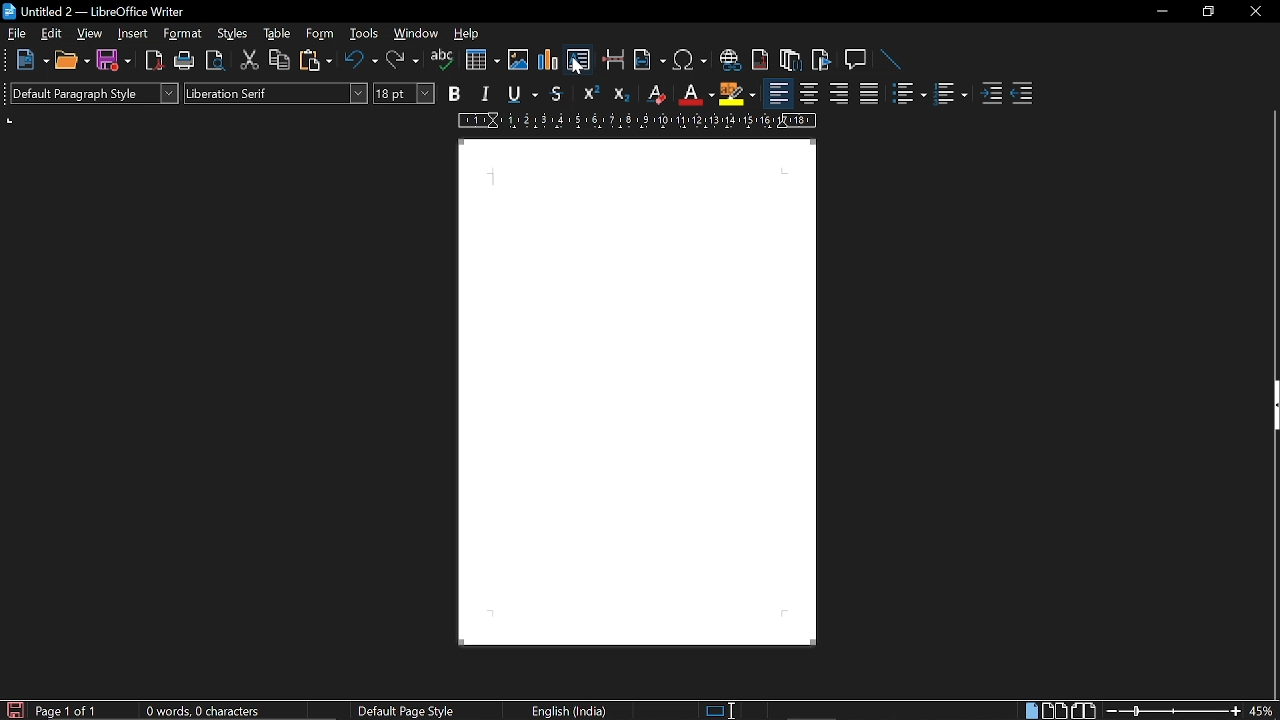 This screenshot has width=1280, height=720. What do you see at coordinates (809, 95) in the screenshot?
I see `align center` at bounding box center [809, 95].